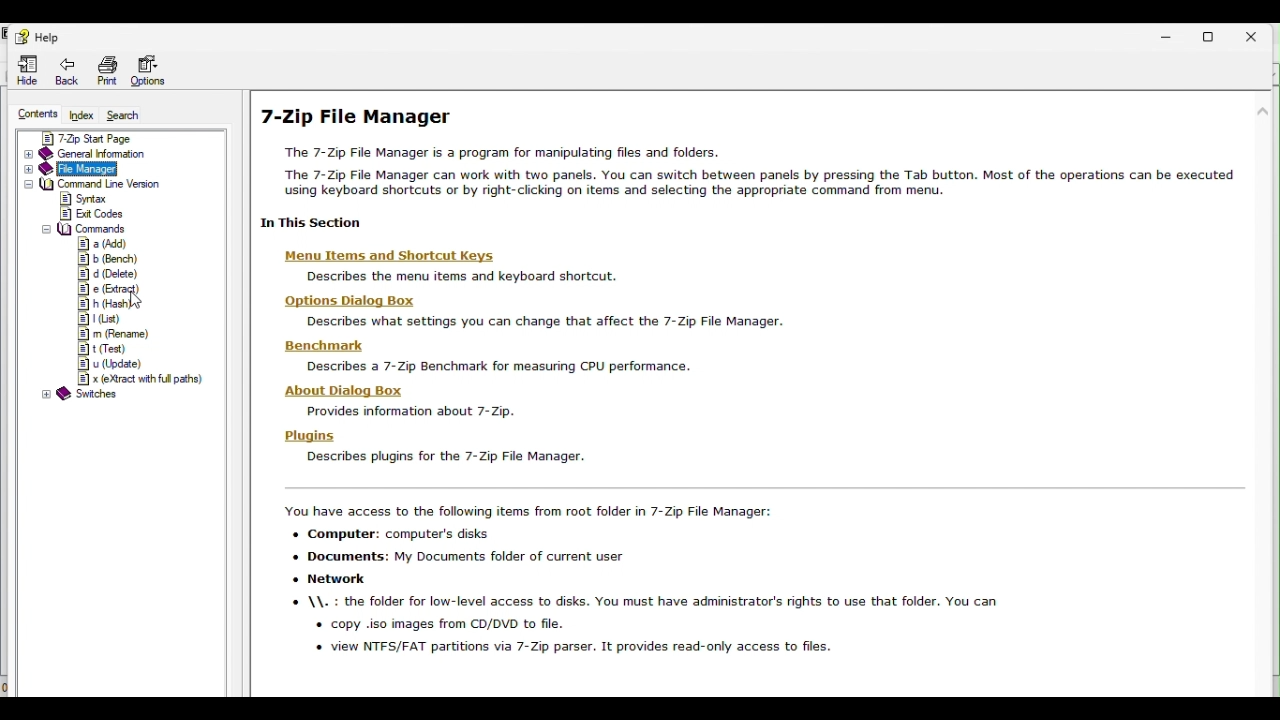  What do you see at coordinates (359, 116) in the screenshot?
I see `7-Zip file manager` at bounding box center [359, 116].